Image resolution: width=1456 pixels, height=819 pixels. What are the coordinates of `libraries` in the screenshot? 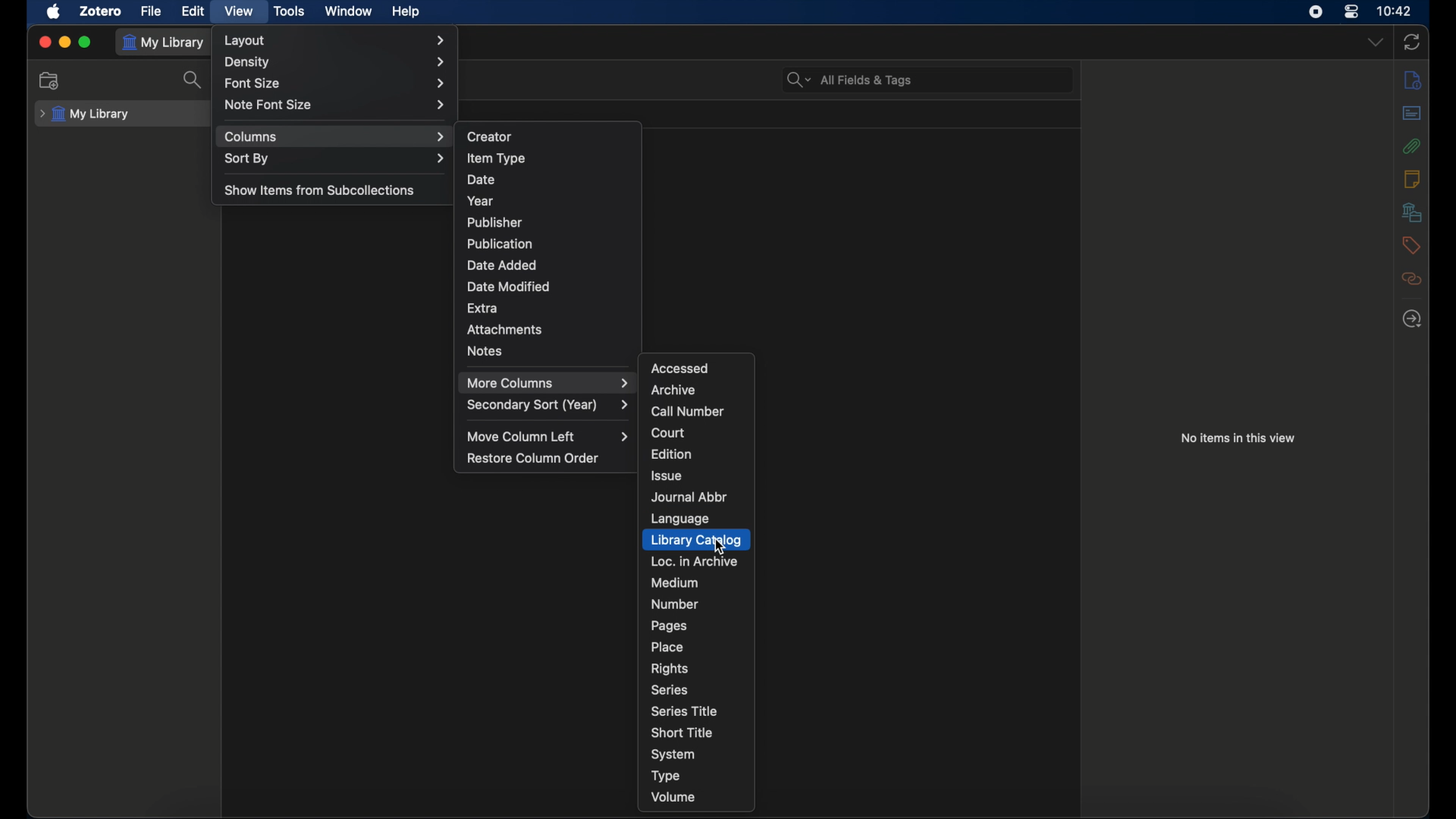 It's located at (1412, 212).